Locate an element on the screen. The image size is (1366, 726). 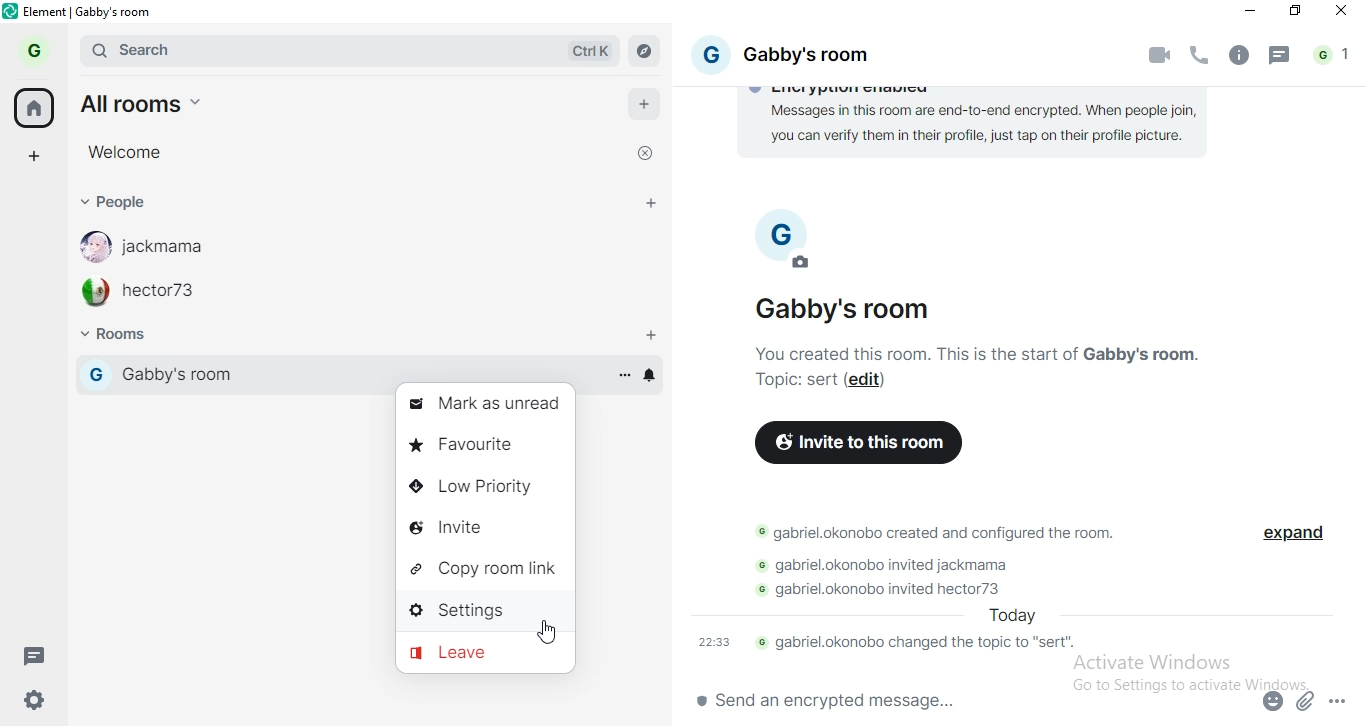
text 4 is located at coordinates (897, 565).